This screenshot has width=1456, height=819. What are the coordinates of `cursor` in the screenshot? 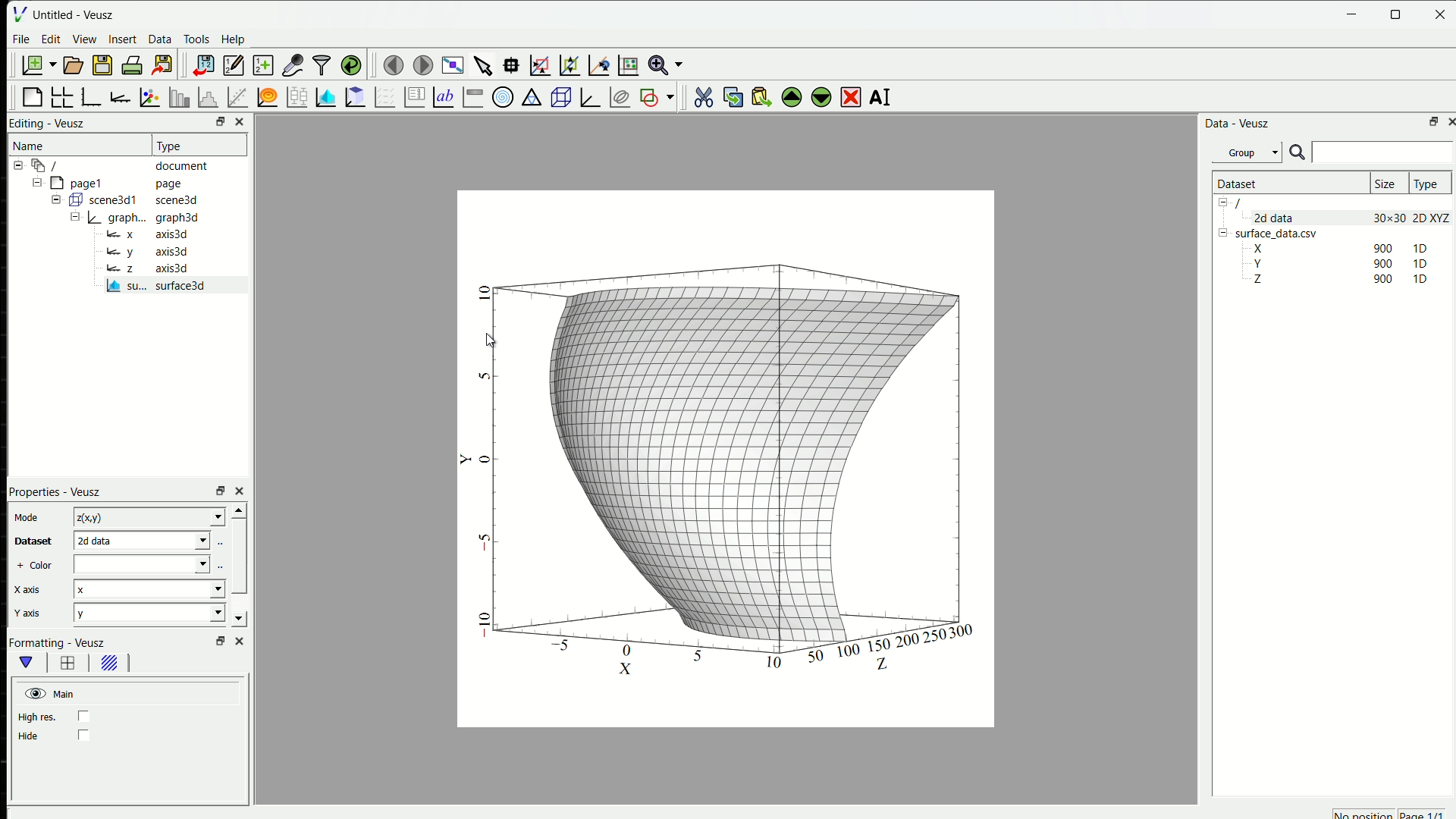 It's located at (496, 342).